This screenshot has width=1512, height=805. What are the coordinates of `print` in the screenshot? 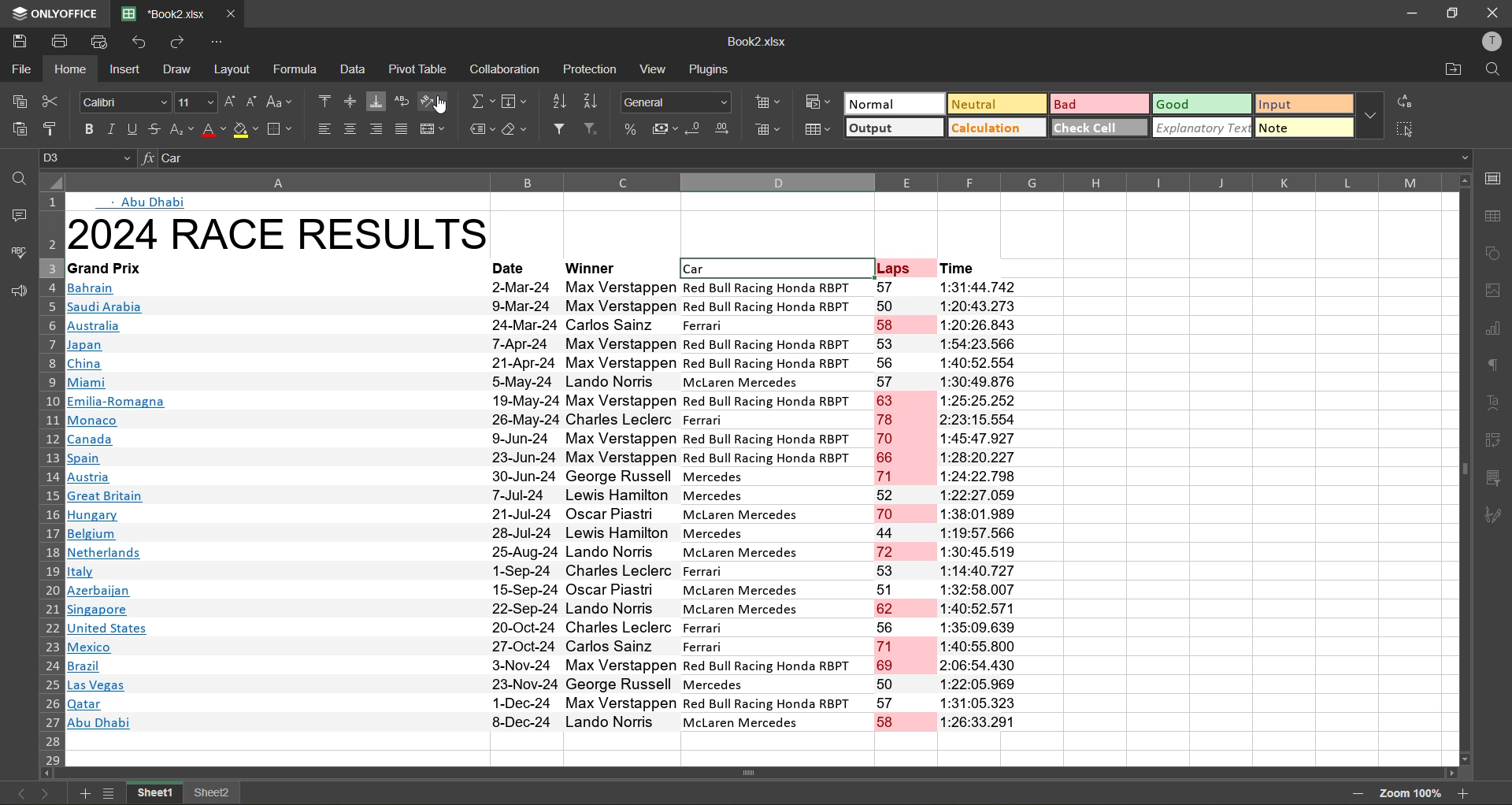 It's located at (60, 43).